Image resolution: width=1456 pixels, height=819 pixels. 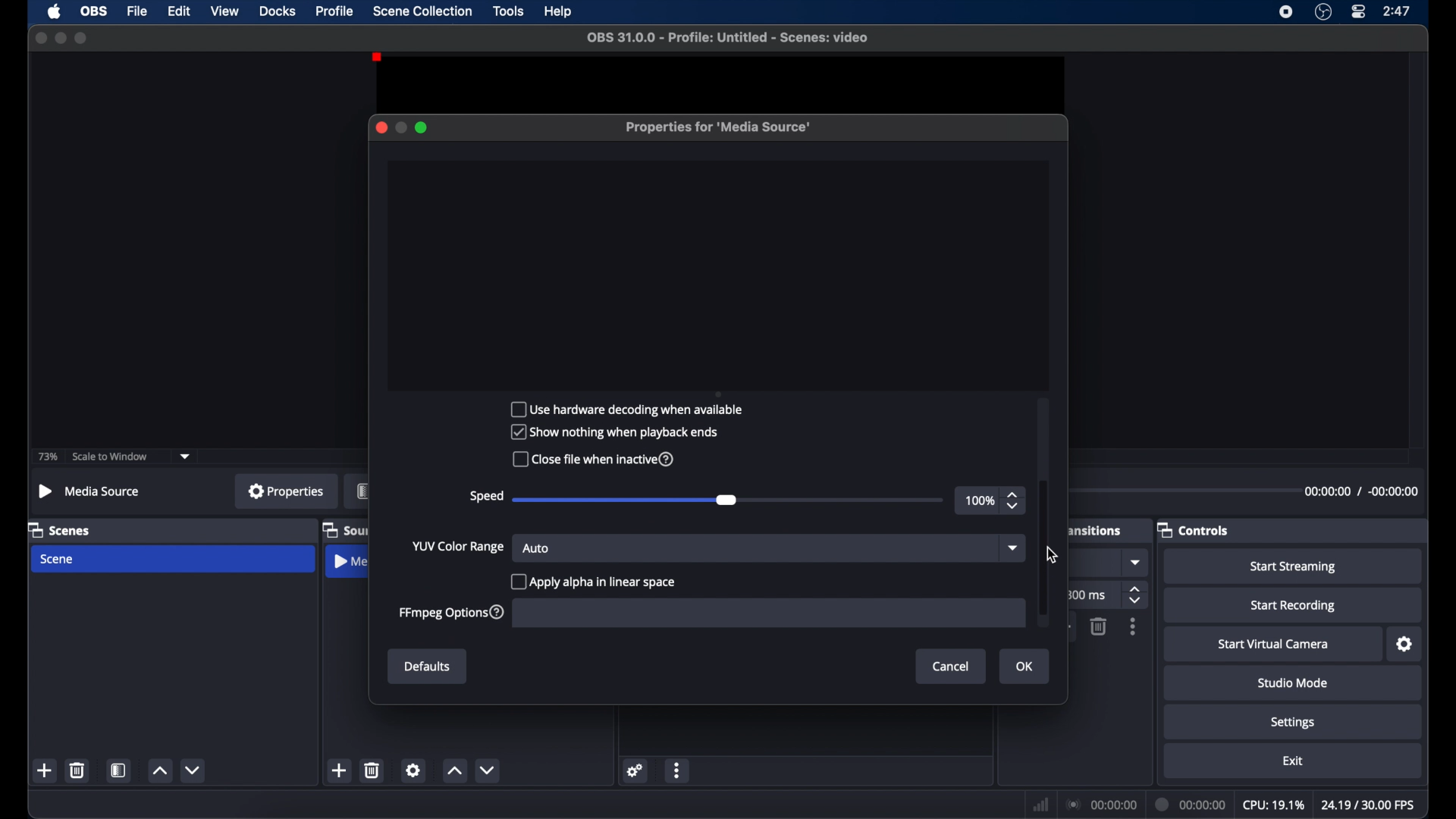 I want to click on delete, so click(x=1098, y=626).